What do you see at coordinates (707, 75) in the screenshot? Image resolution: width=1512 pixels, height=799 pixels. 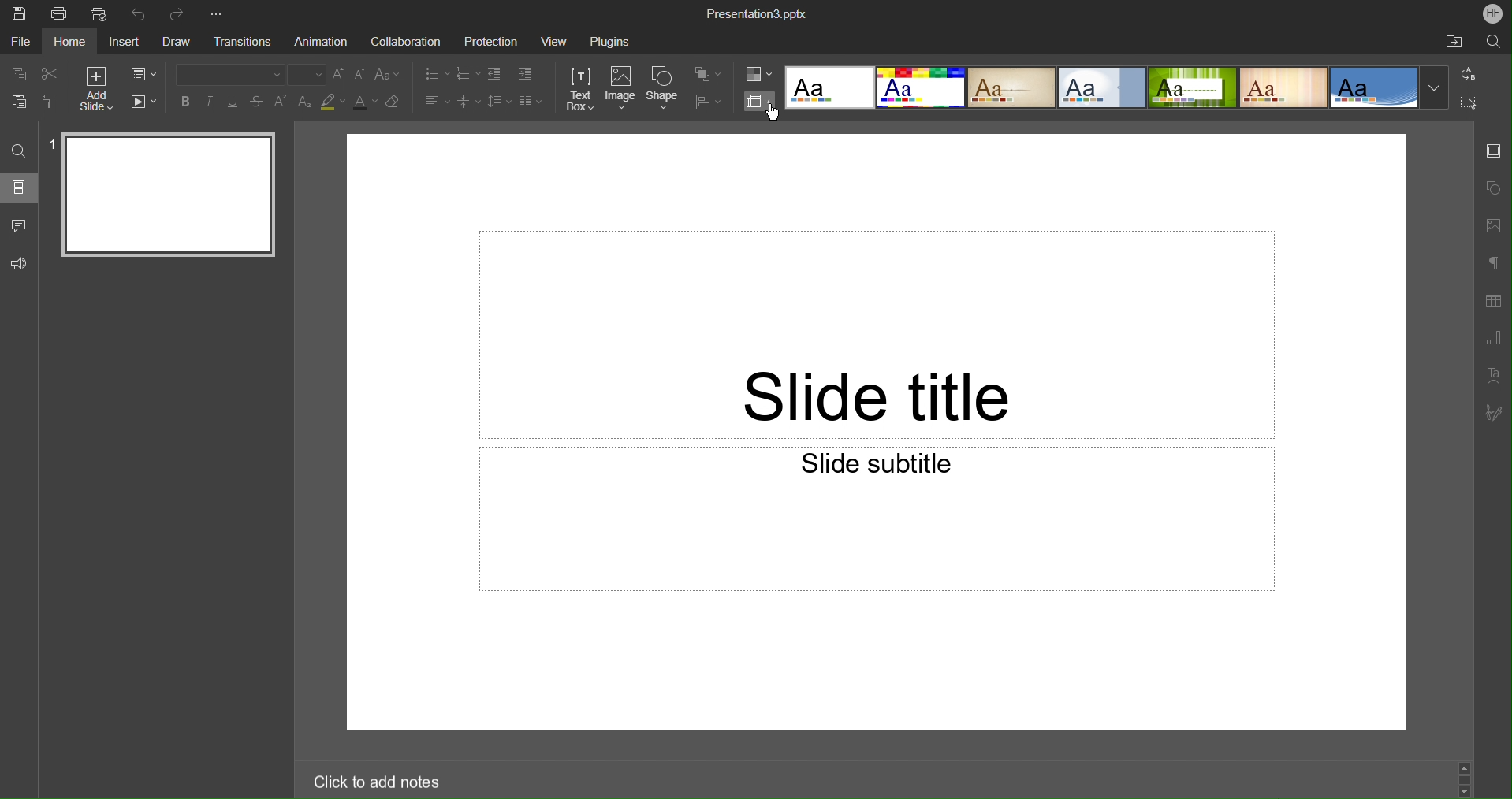 I see `Arrange` at bounding box center [707, 75].